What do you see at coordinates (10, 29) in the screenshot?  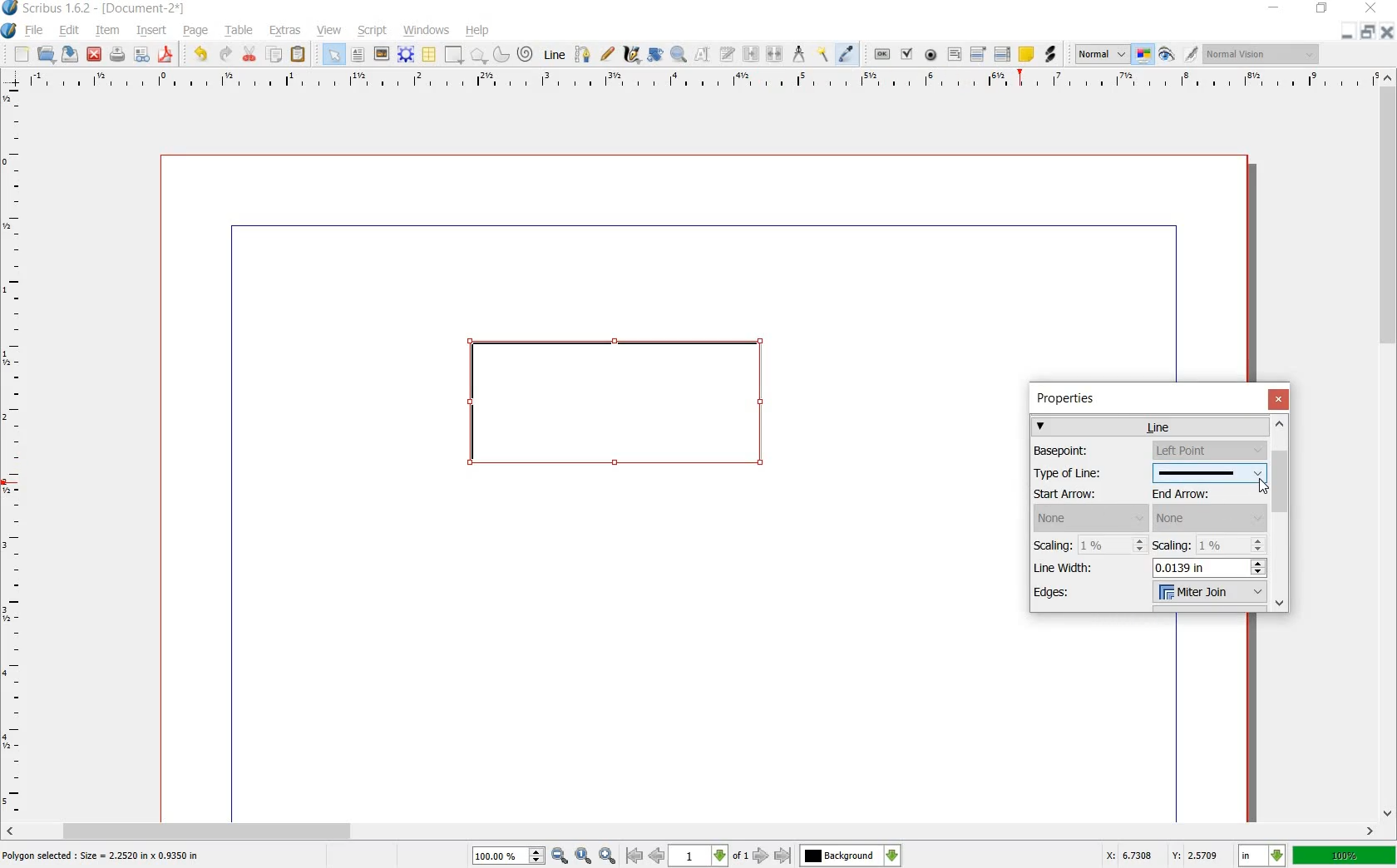 I see `SYSTEM LOGO` at bounding box center [10, 29].